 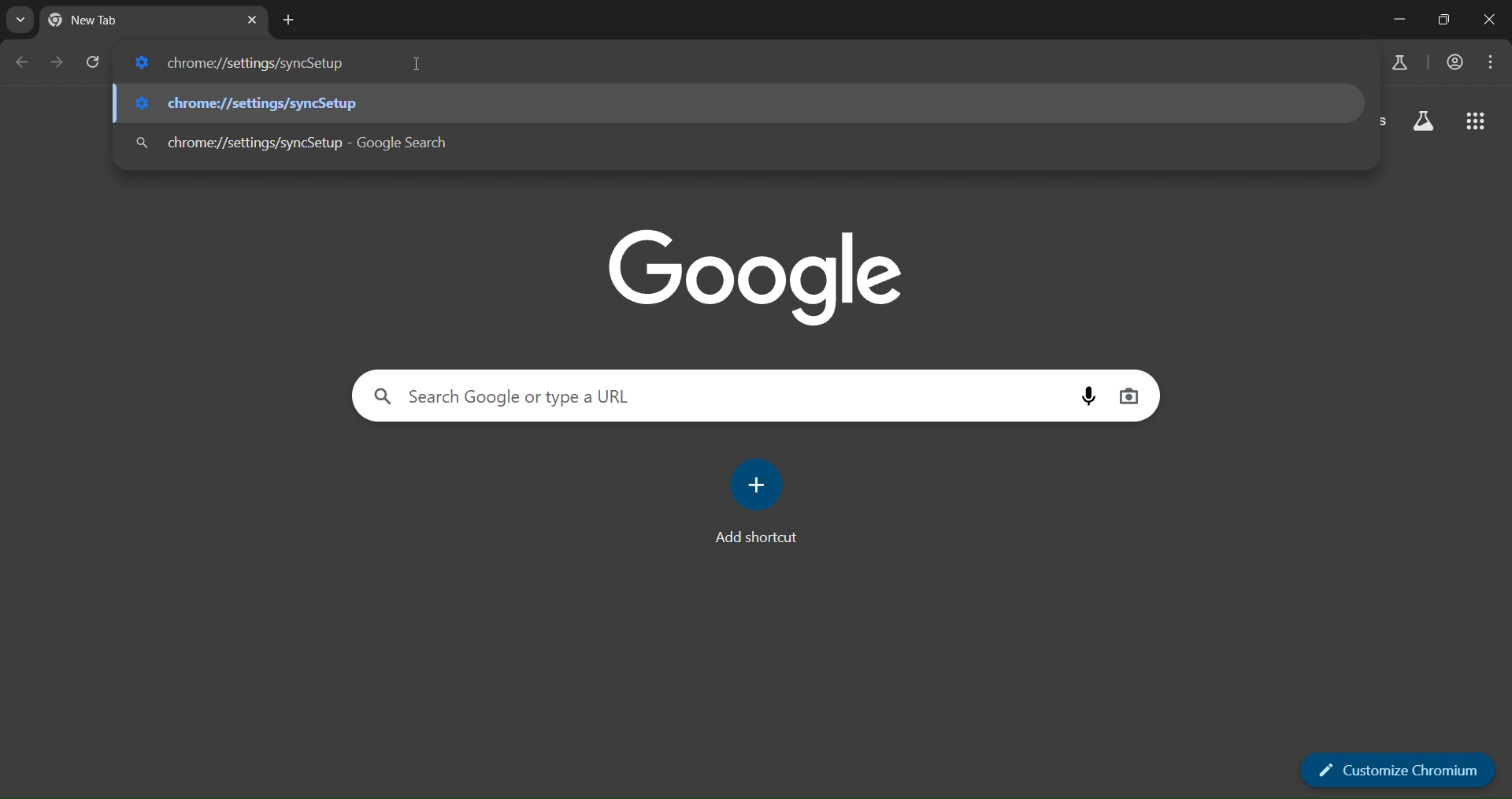 I want to click on image search, so click(x=1131, y=398).